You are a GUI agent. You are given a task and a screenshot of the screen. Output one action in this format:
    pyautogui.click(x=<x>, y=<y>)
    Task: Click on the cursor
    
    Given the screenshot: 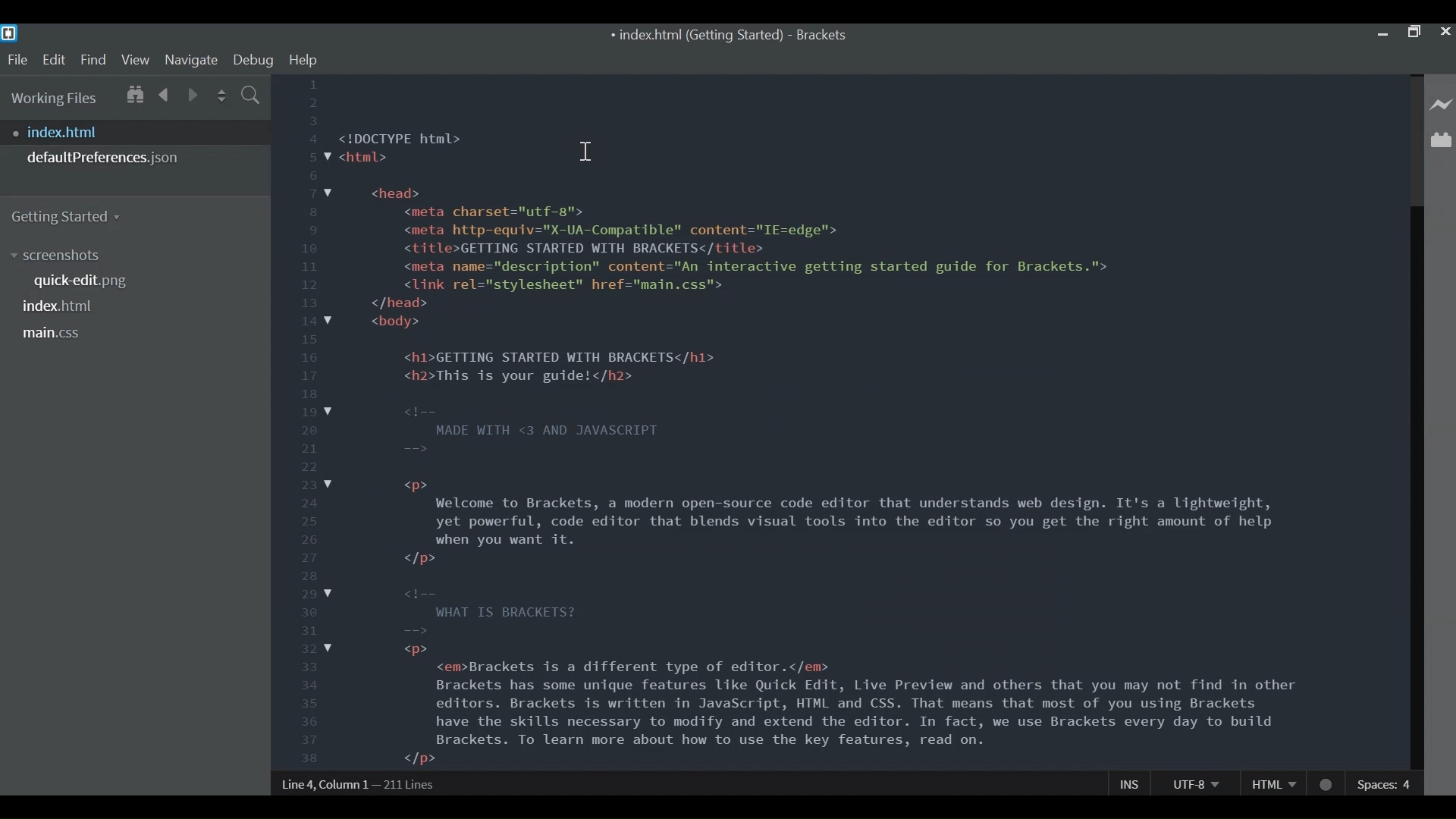 What is the action you would take?
    pyautogui.click(x=587, y=154)
    